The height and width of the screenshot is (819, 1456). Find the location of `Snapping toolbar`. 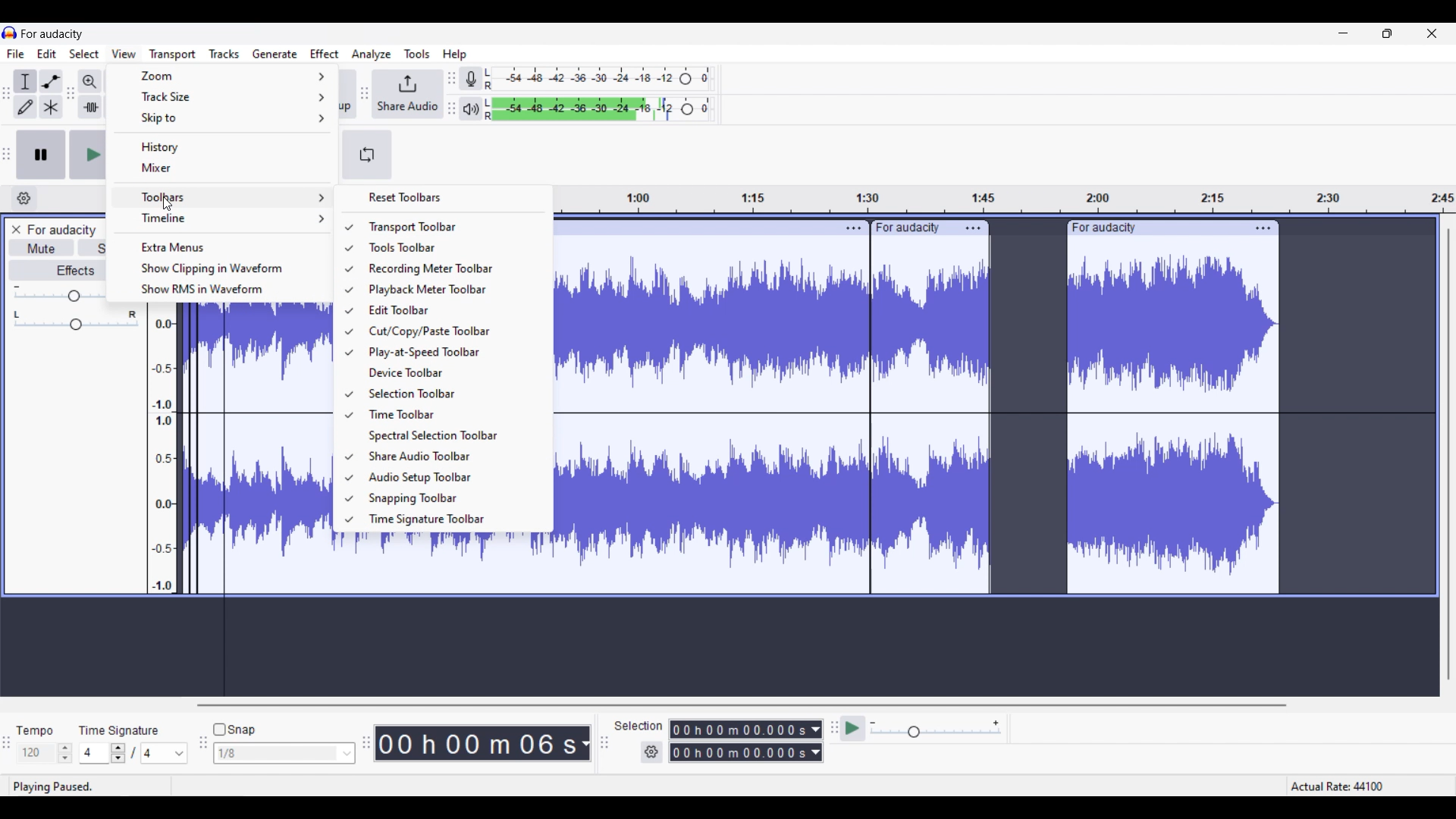

Snapping toolbar is located at coordinates (451, 499).